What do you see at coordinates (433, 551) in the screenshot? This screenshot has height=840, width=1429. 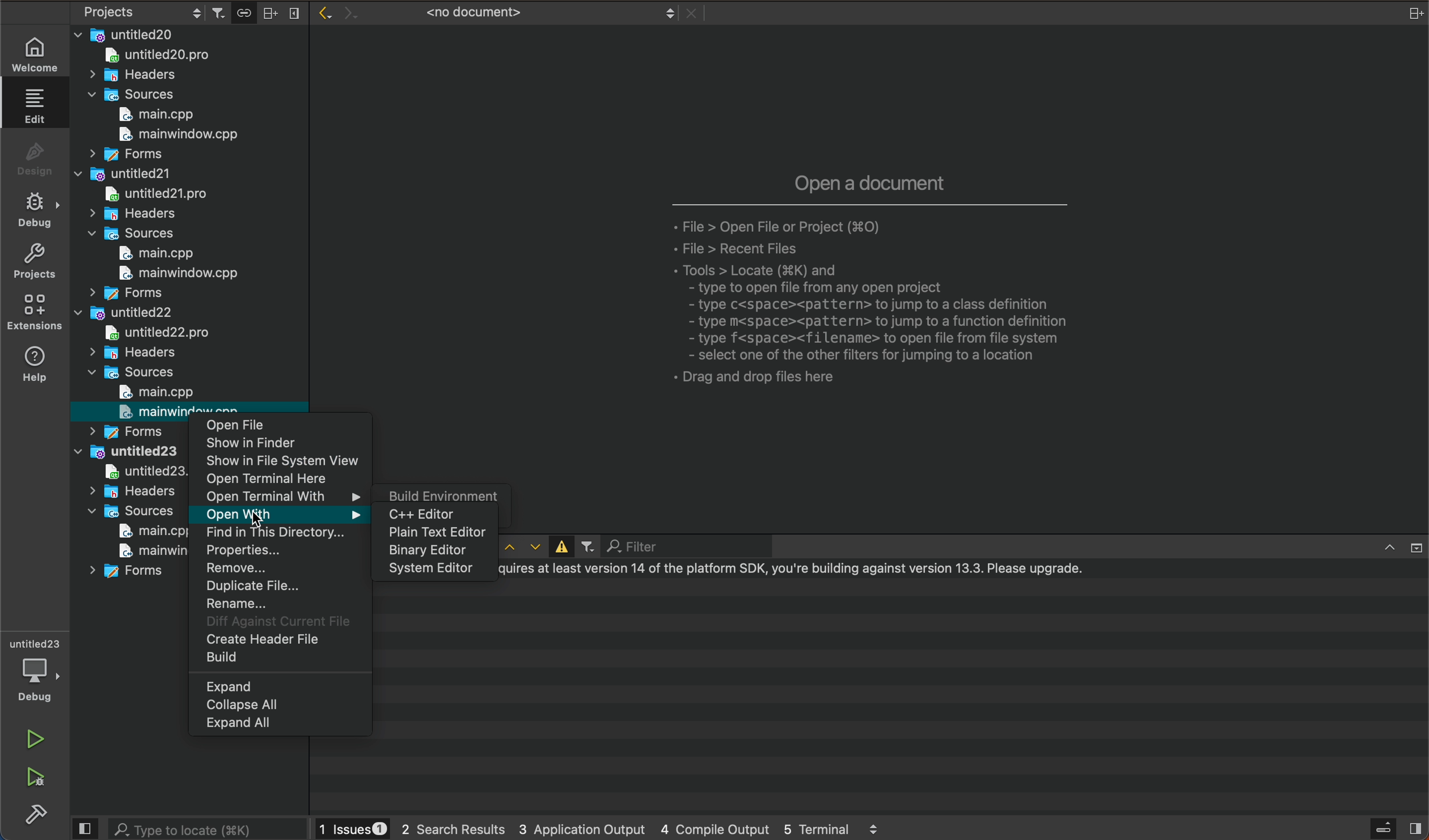 I see `binary editor` at bounding box center [433, 551].